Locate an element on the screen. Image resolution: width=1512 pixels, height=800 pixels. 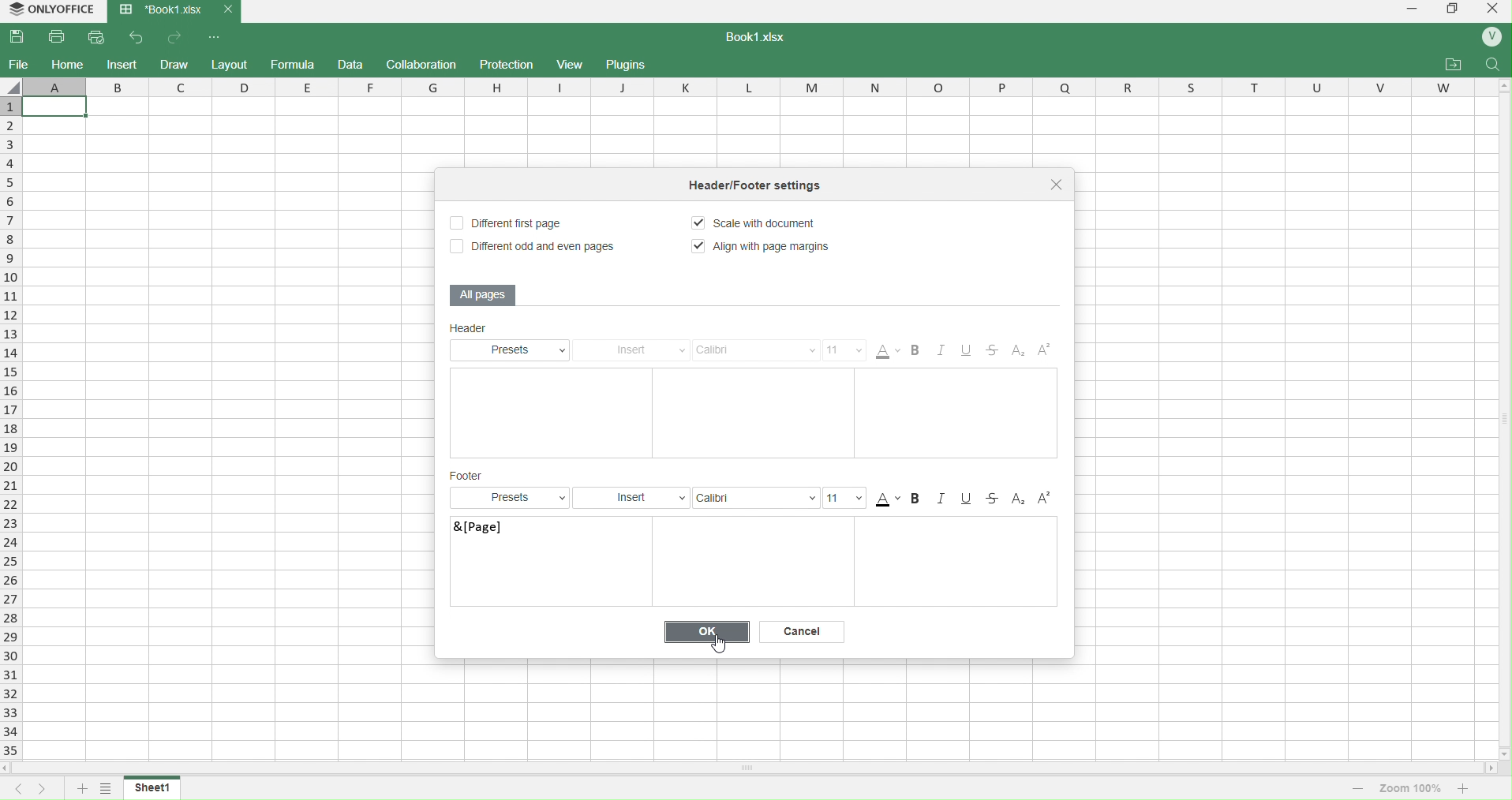
Color is located at coordinates (889, 351).